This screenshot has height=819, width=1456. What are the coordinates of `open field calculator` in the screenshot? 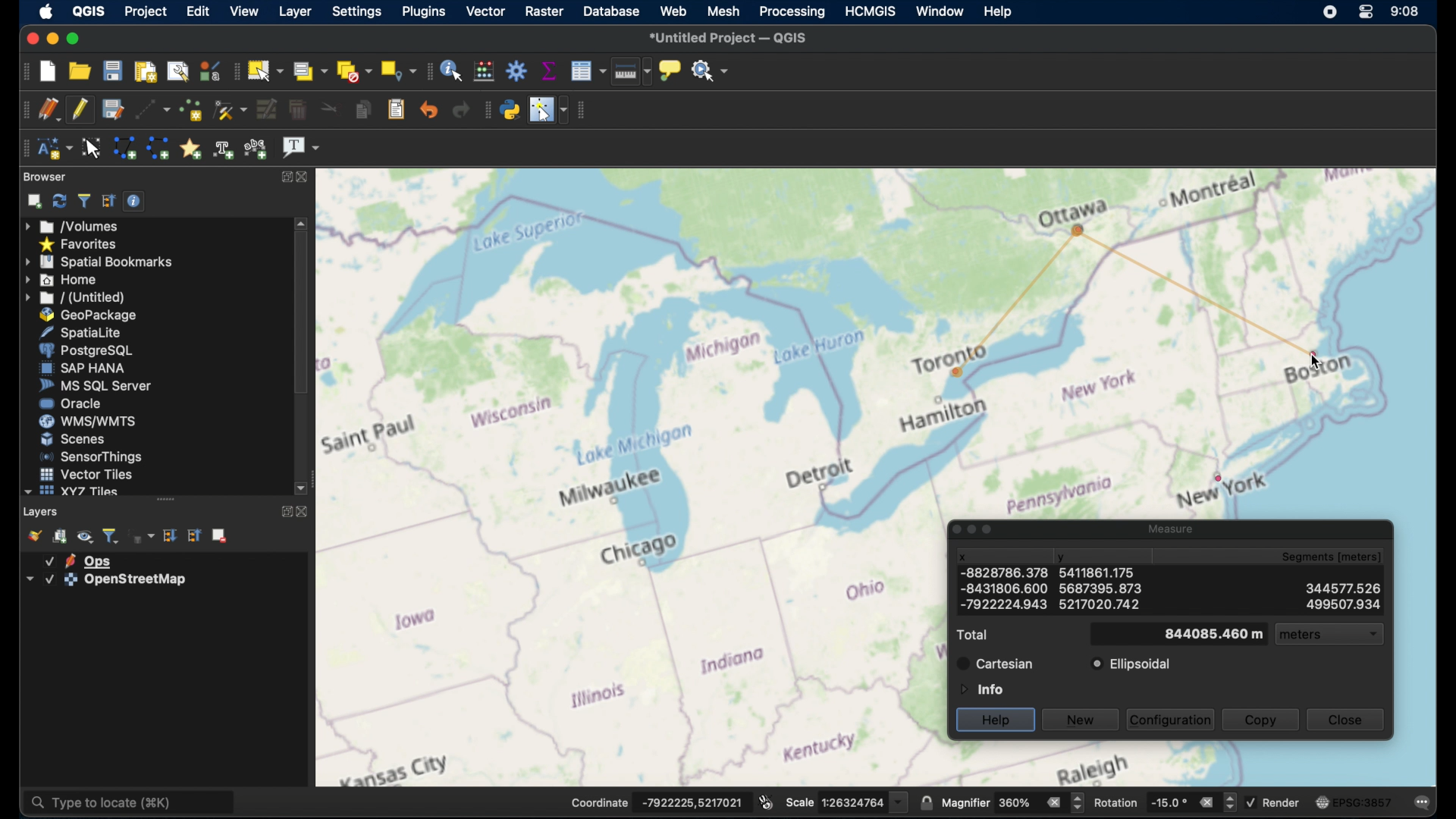 It's located at (486, 70).